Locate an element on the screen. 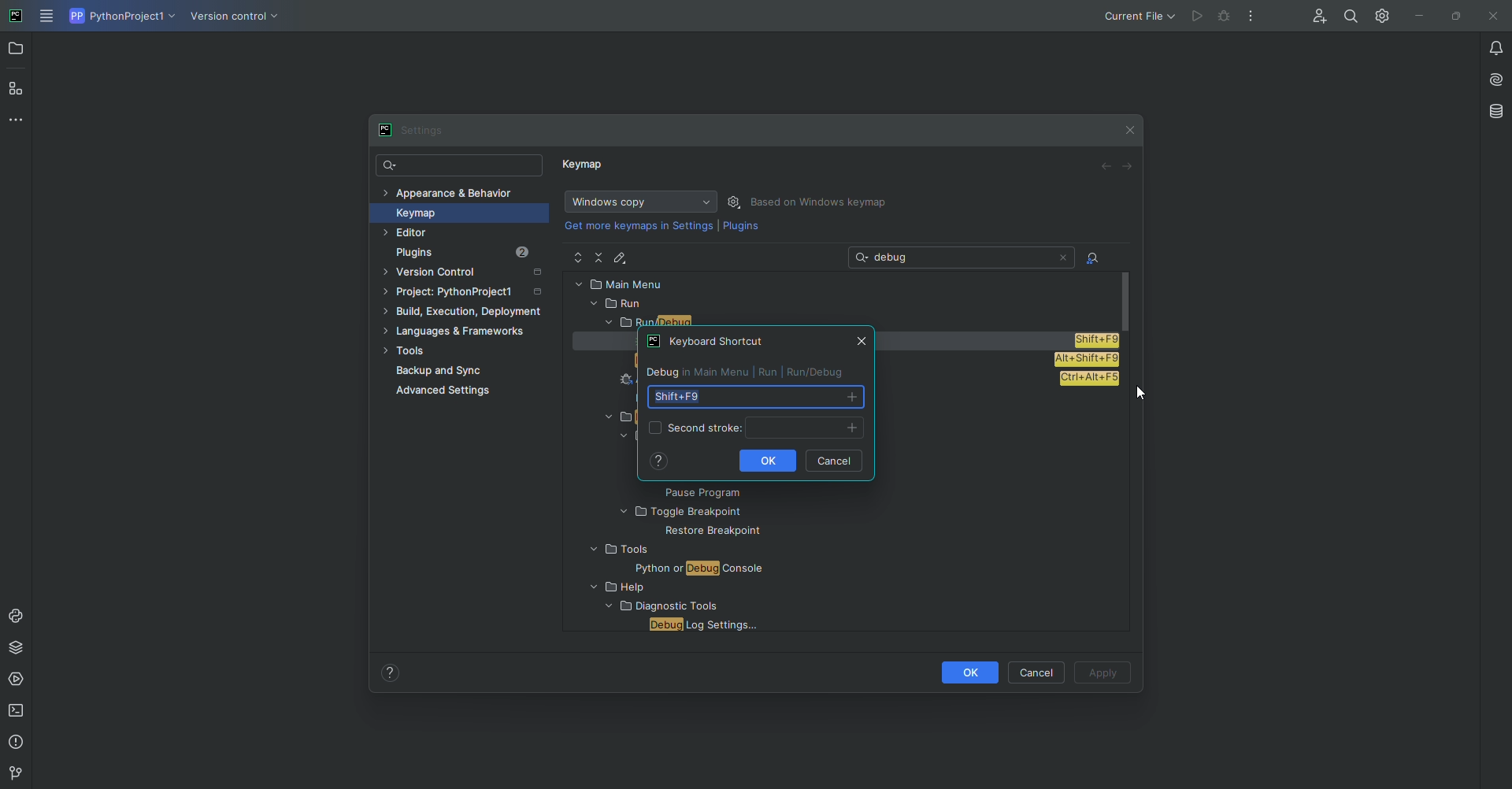 This screenshot has width=1512, height=789. Restore is located at coordinates (1452, 15).